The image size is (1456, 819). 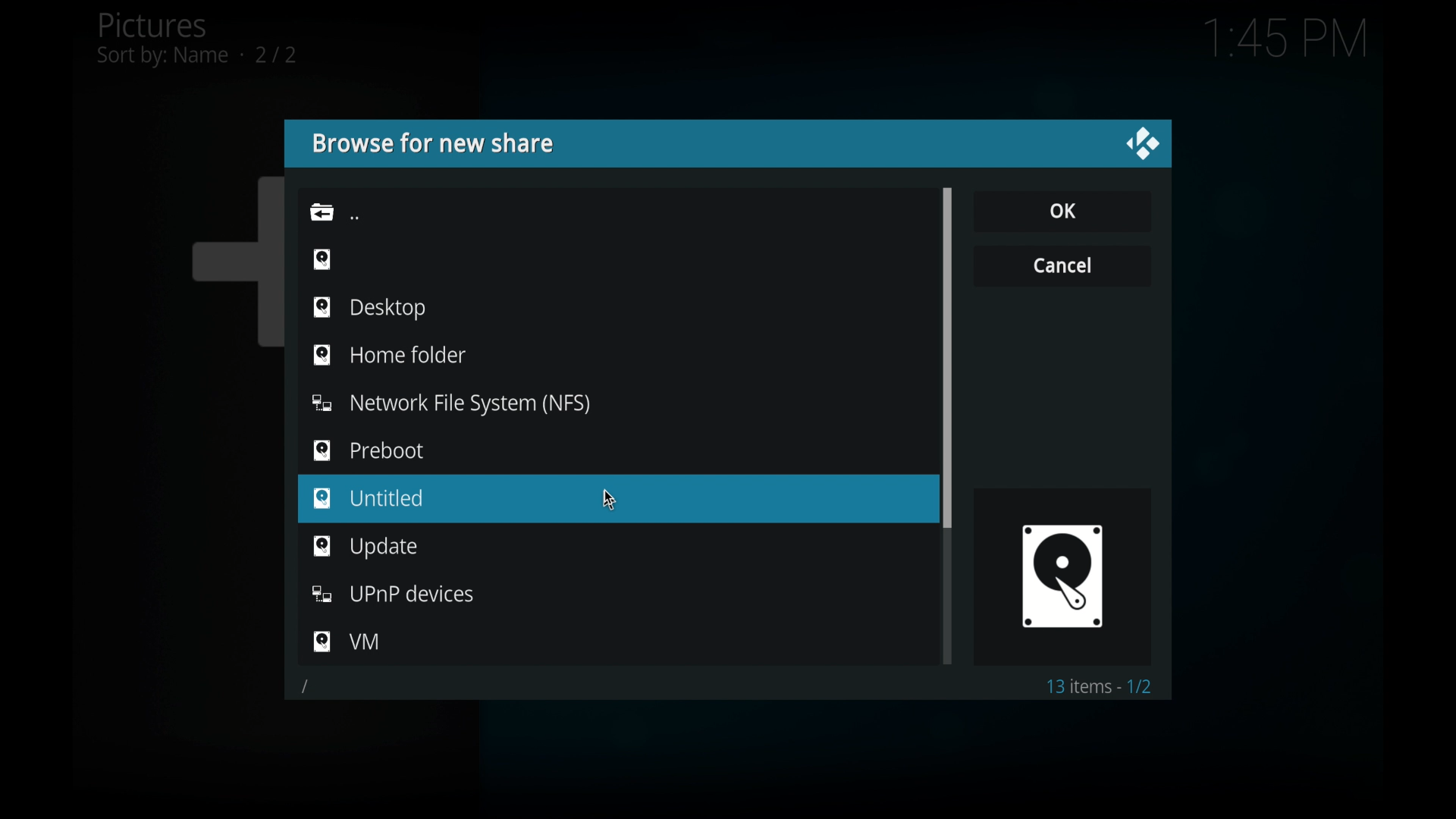 I want to click on desktop, so click(x=369, y=308).